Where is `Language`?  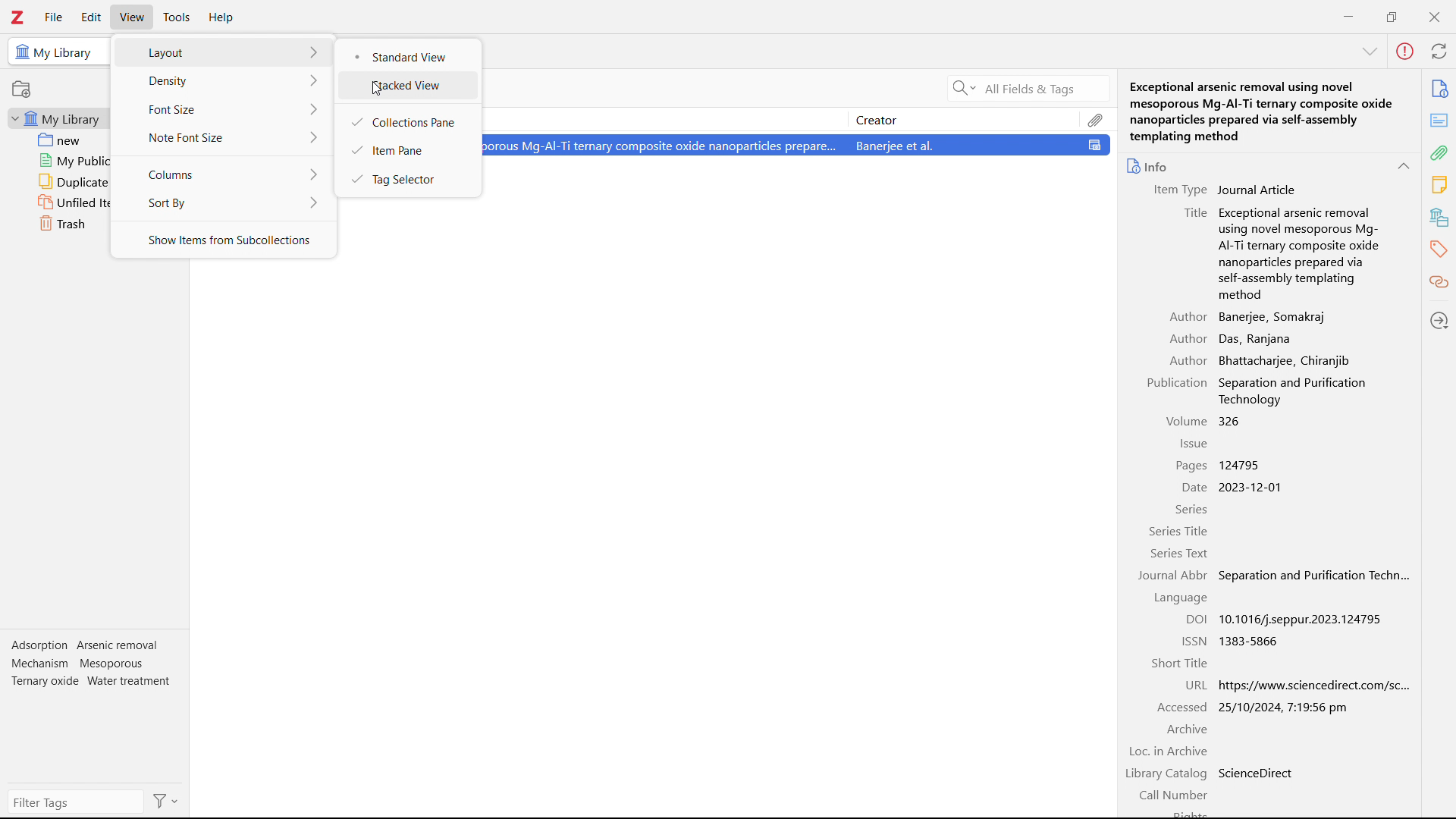
Language is located at coordinates (1180, 598).